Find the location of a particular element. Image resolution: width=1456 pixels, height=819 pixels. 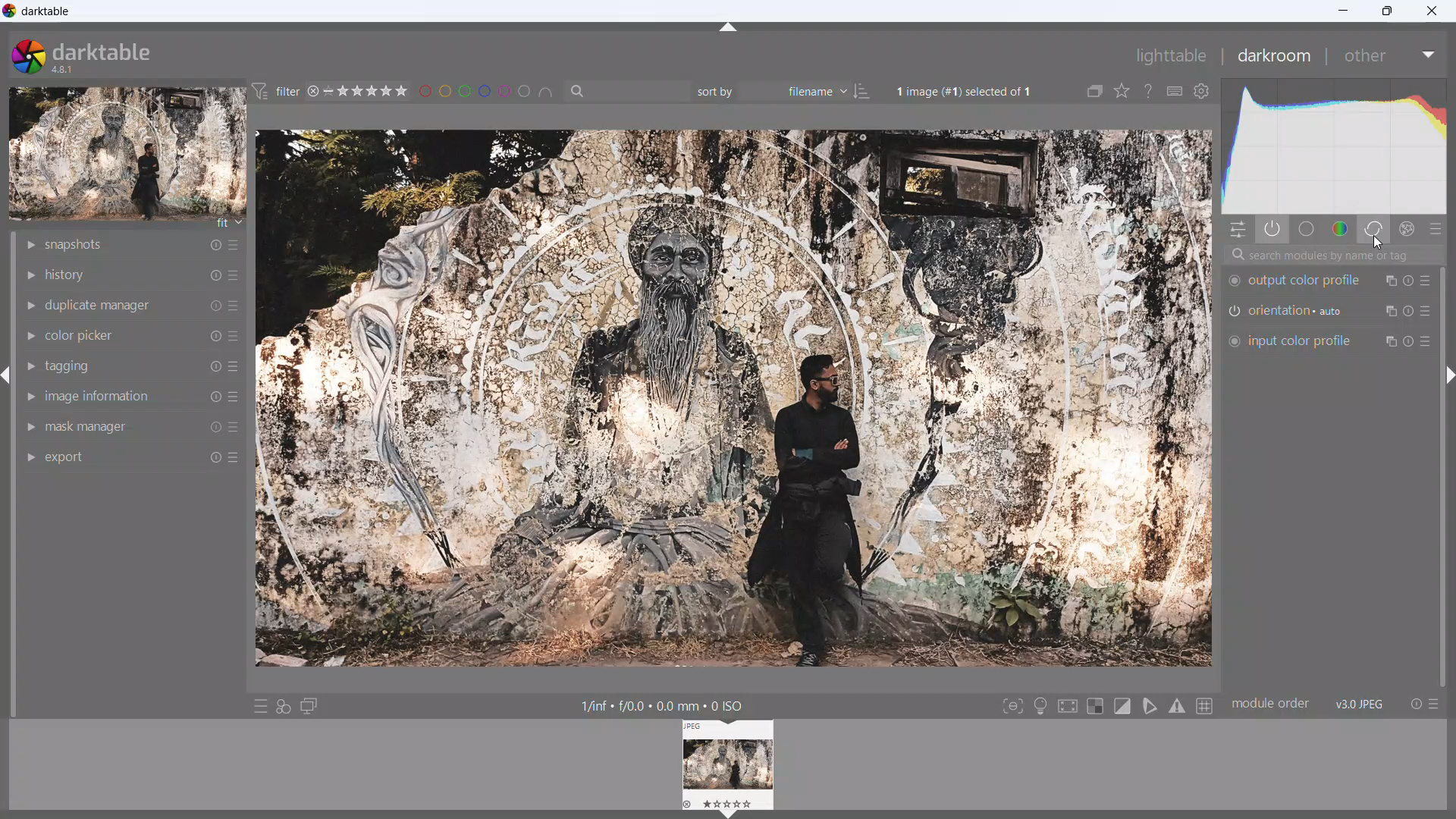

enable this and click on a control element to get online help is located at coordinates (1149, 91).